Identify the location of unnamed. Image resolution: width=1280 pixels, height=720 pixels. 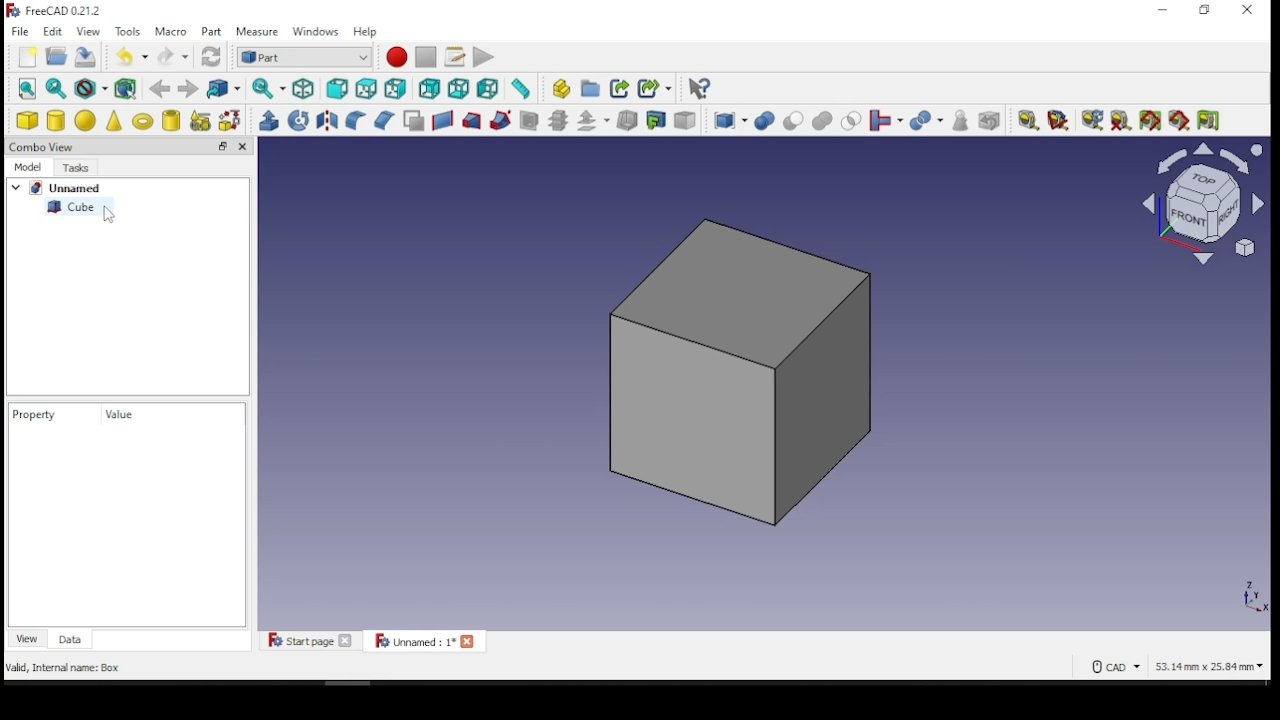
(62, 187).